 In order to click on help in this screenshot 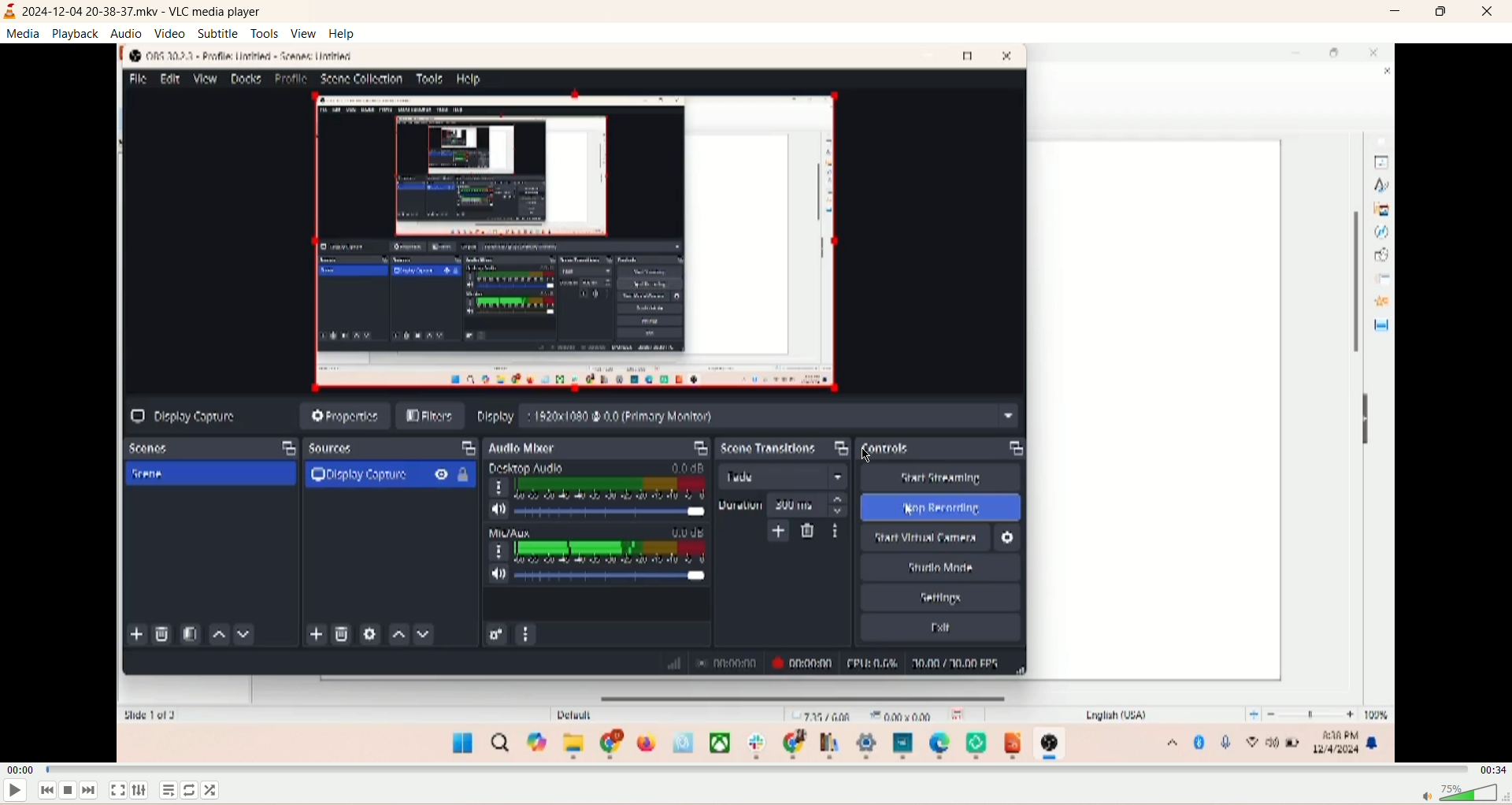, I will do `click(342, 34)`.